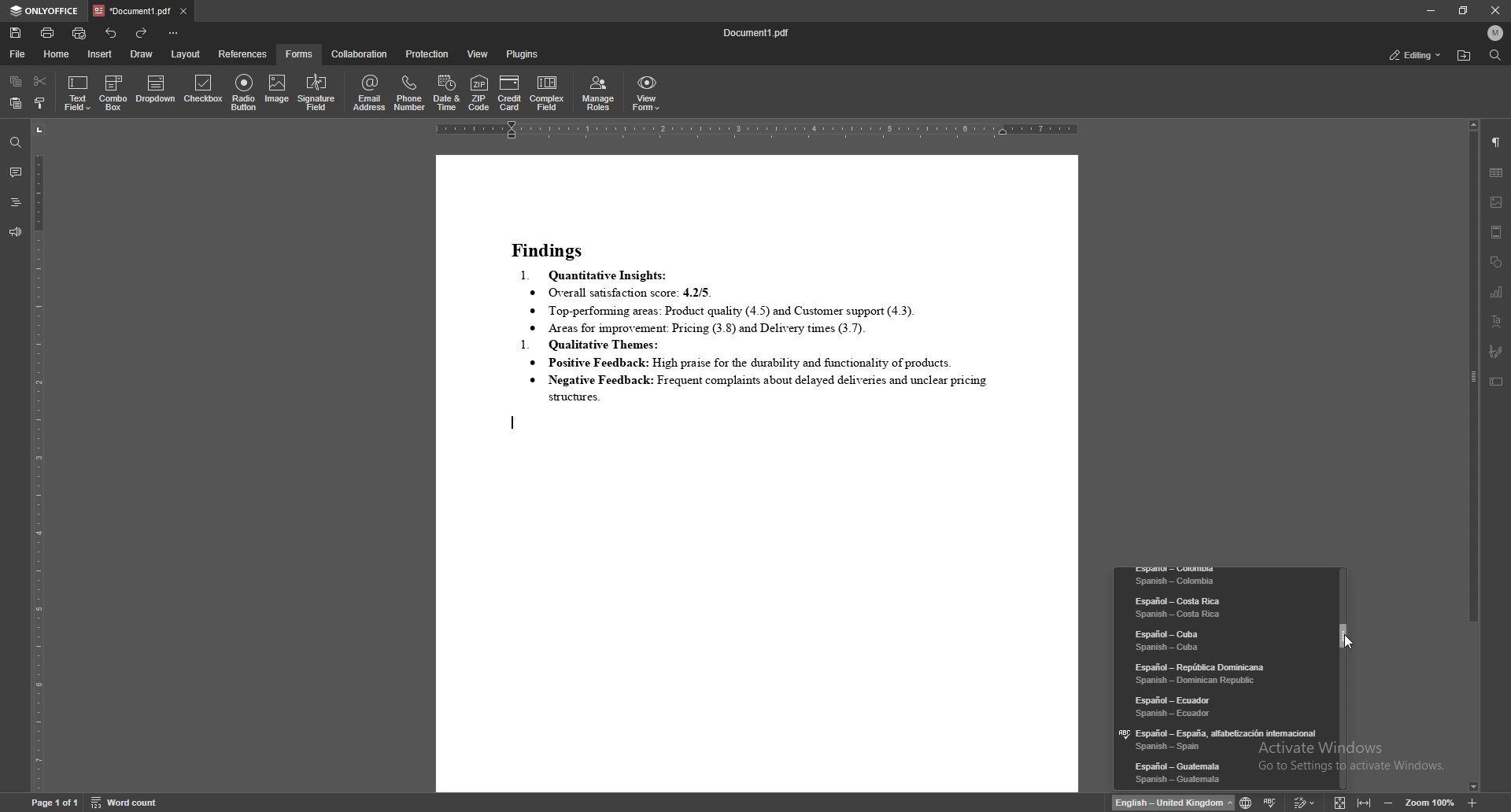 The image size is (1511, 812). Describe the element at coordinates (599, 94) in the screenshot. I see `manage roles` at that location.